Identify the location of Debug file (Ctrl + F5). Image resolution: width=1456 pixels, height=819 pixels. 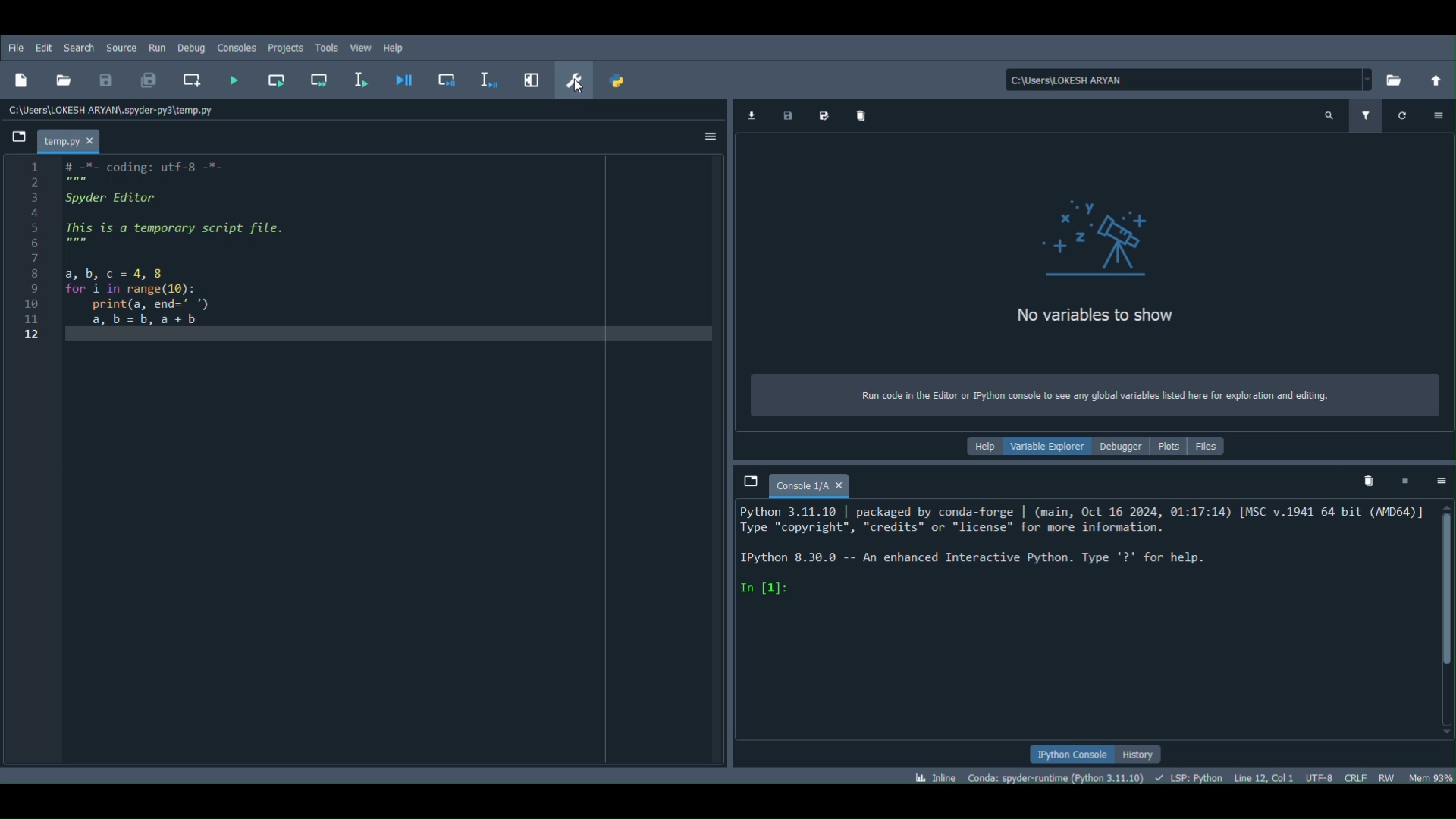
(403, 81).